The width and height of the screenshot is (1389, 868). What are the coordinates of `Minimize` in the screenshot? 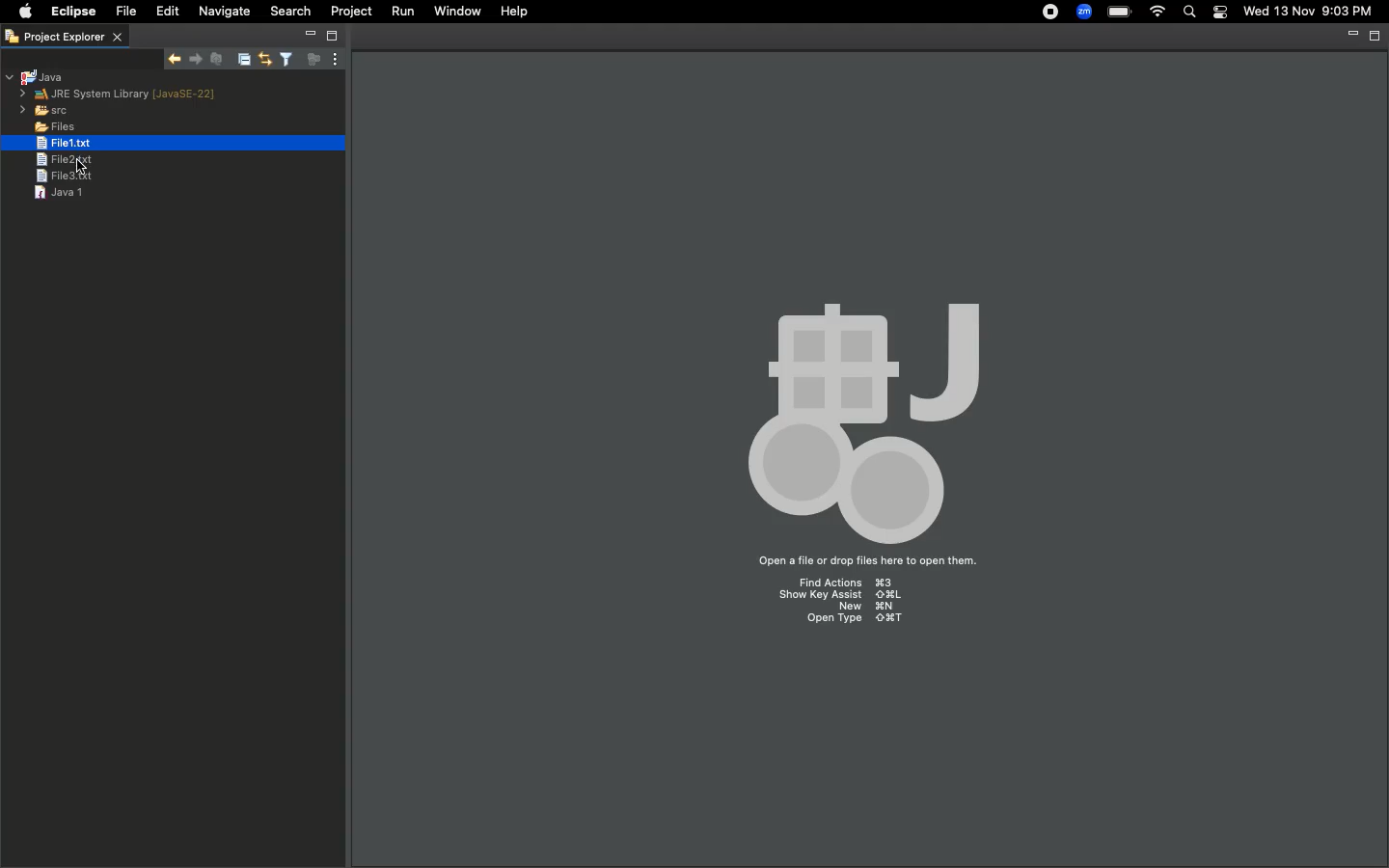 It's located at (311, 34).